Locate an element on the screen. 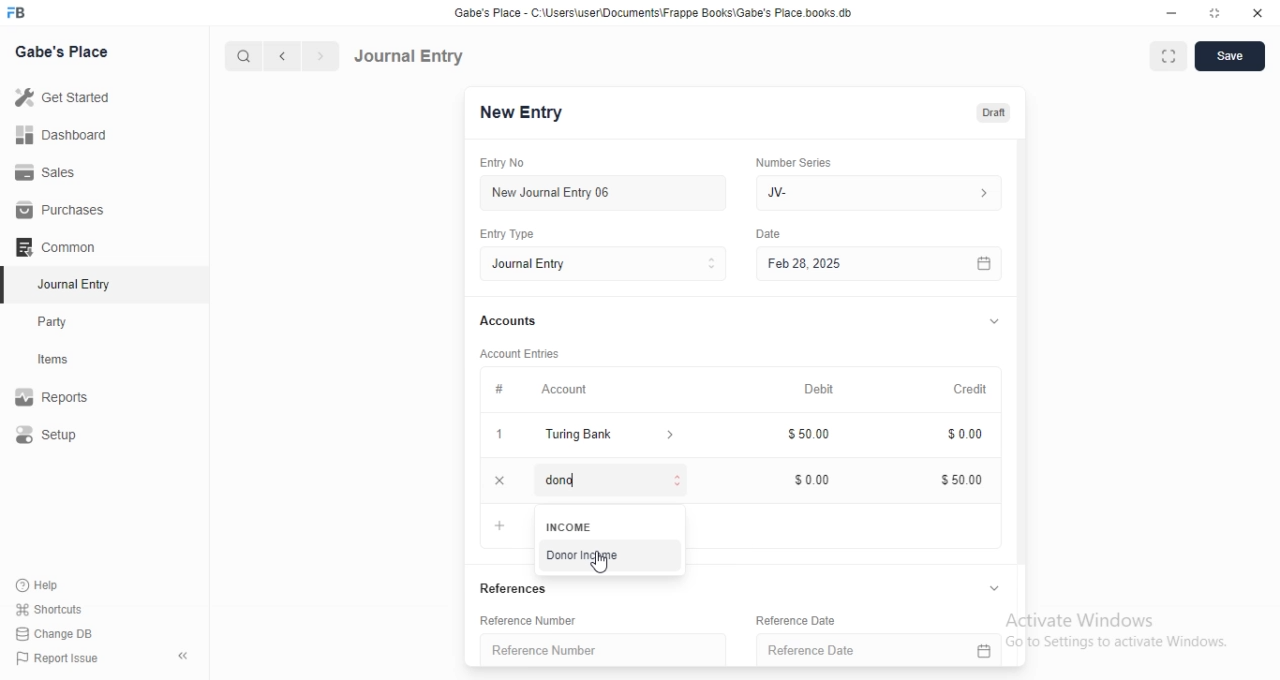  cursor is located at coordinates (599, 565).